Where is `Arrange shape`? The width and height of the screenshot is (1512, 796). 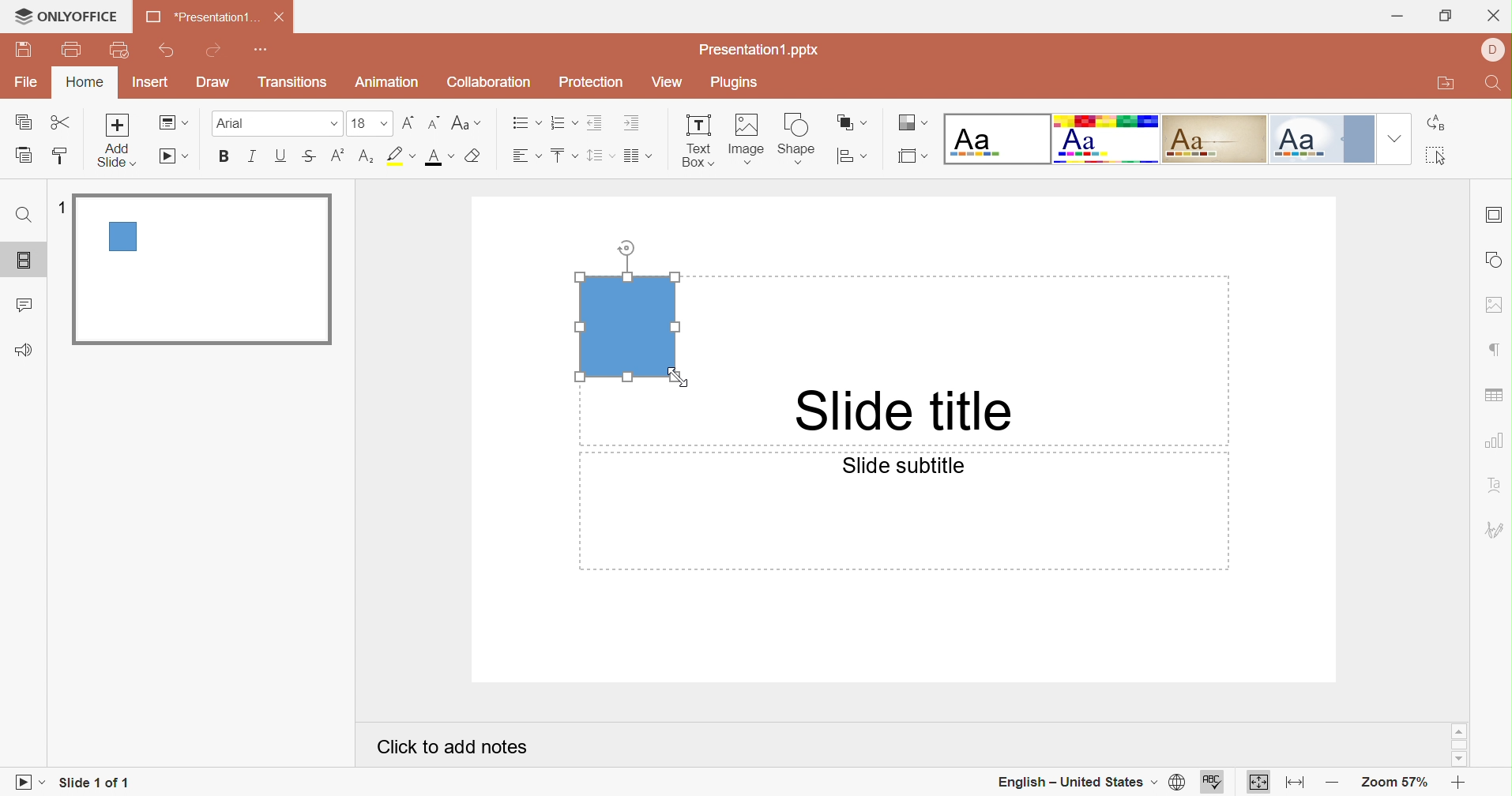
Arrange shape is located at coordinates (850, 123).